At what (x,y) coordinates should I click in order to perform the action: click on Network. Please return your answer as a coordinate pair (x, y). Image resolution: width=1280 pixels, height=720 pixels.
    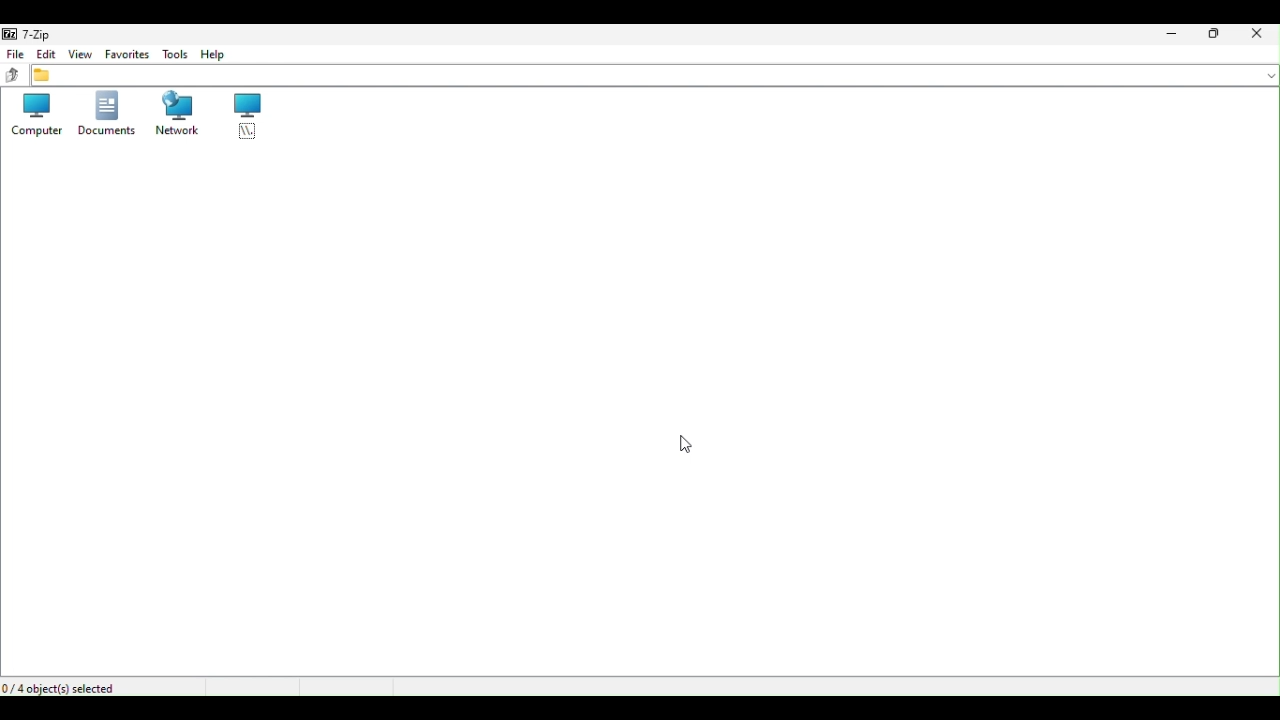
    Looking at the image, I should click on (179, 116).